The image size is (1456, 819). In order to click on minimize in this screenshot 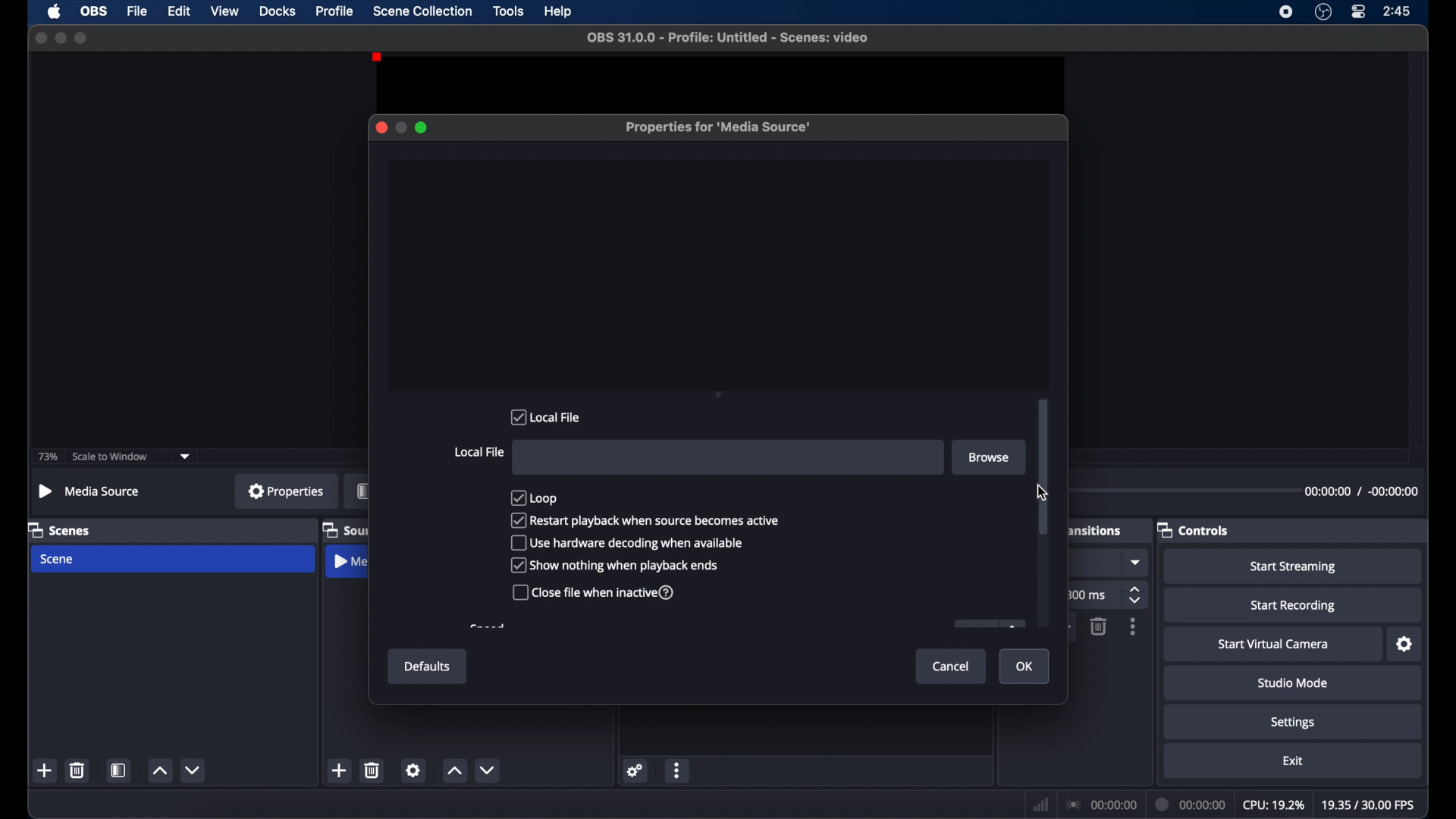, I will do `click(60, 37)`.